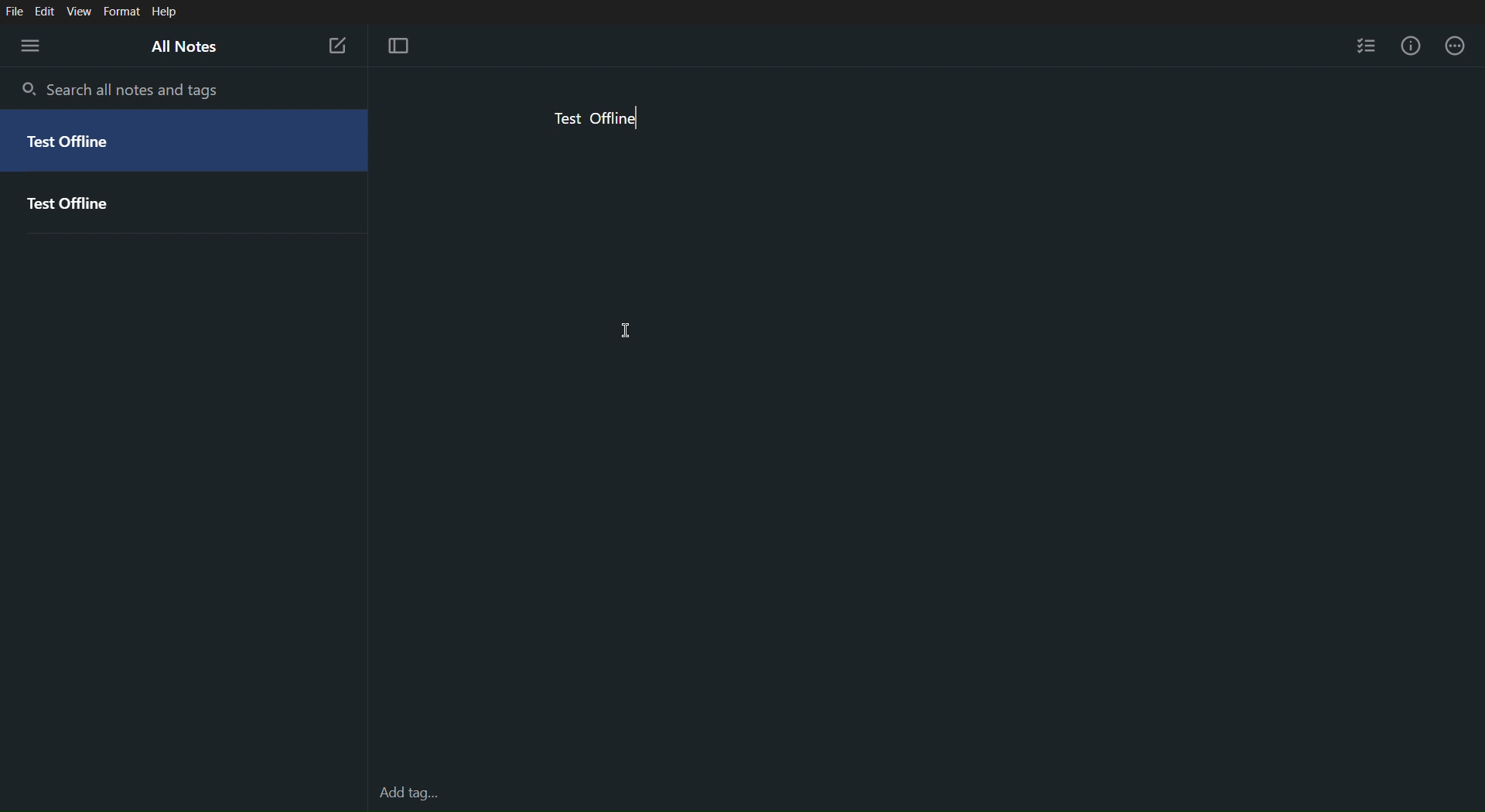 The height and width of the screenshot is (812, 1485). I want to click on Focus Mode, so click(404, 47).